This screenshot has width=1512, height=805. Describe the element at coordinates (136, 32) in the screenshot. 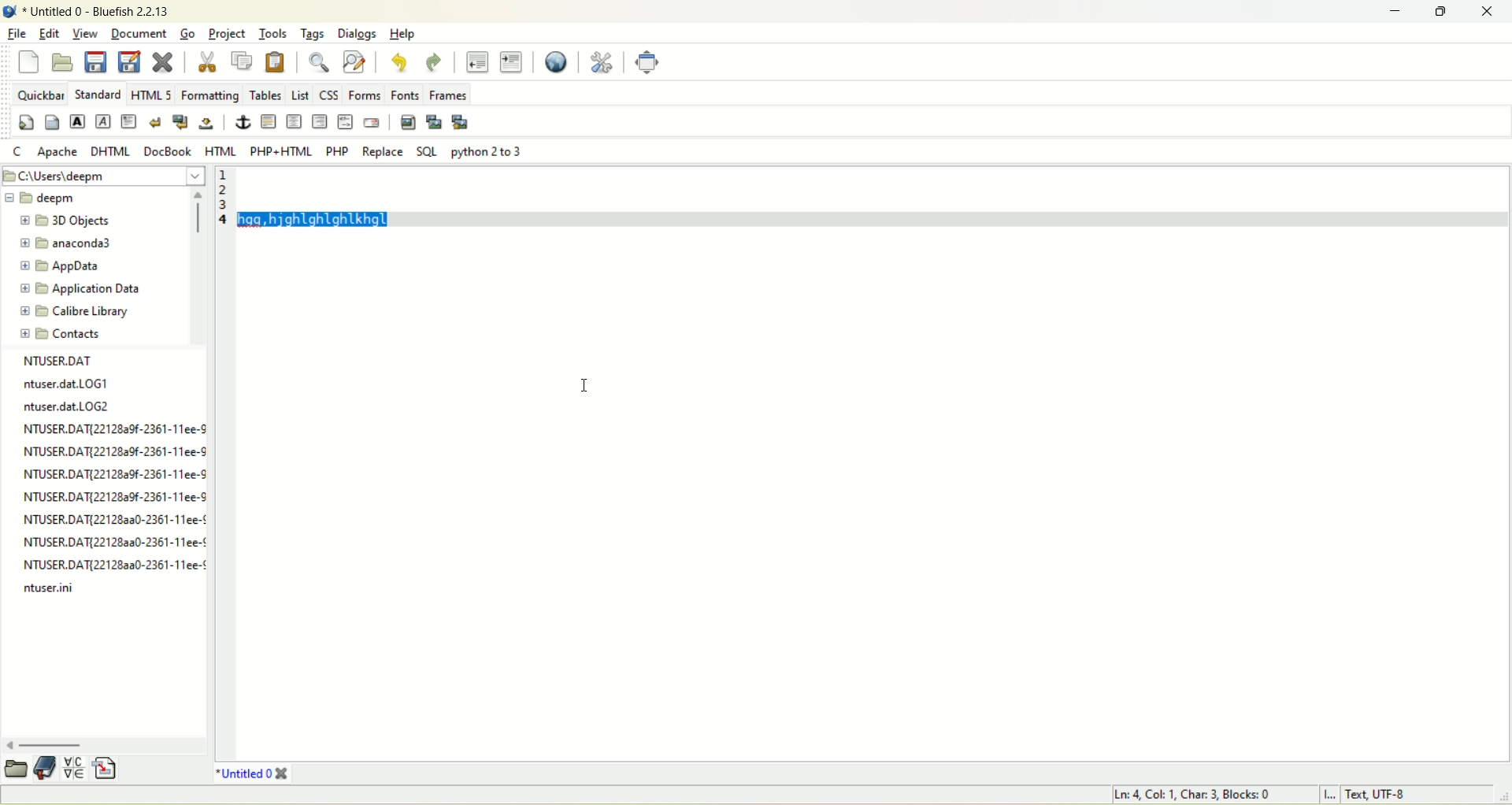

I see `document` at that location.